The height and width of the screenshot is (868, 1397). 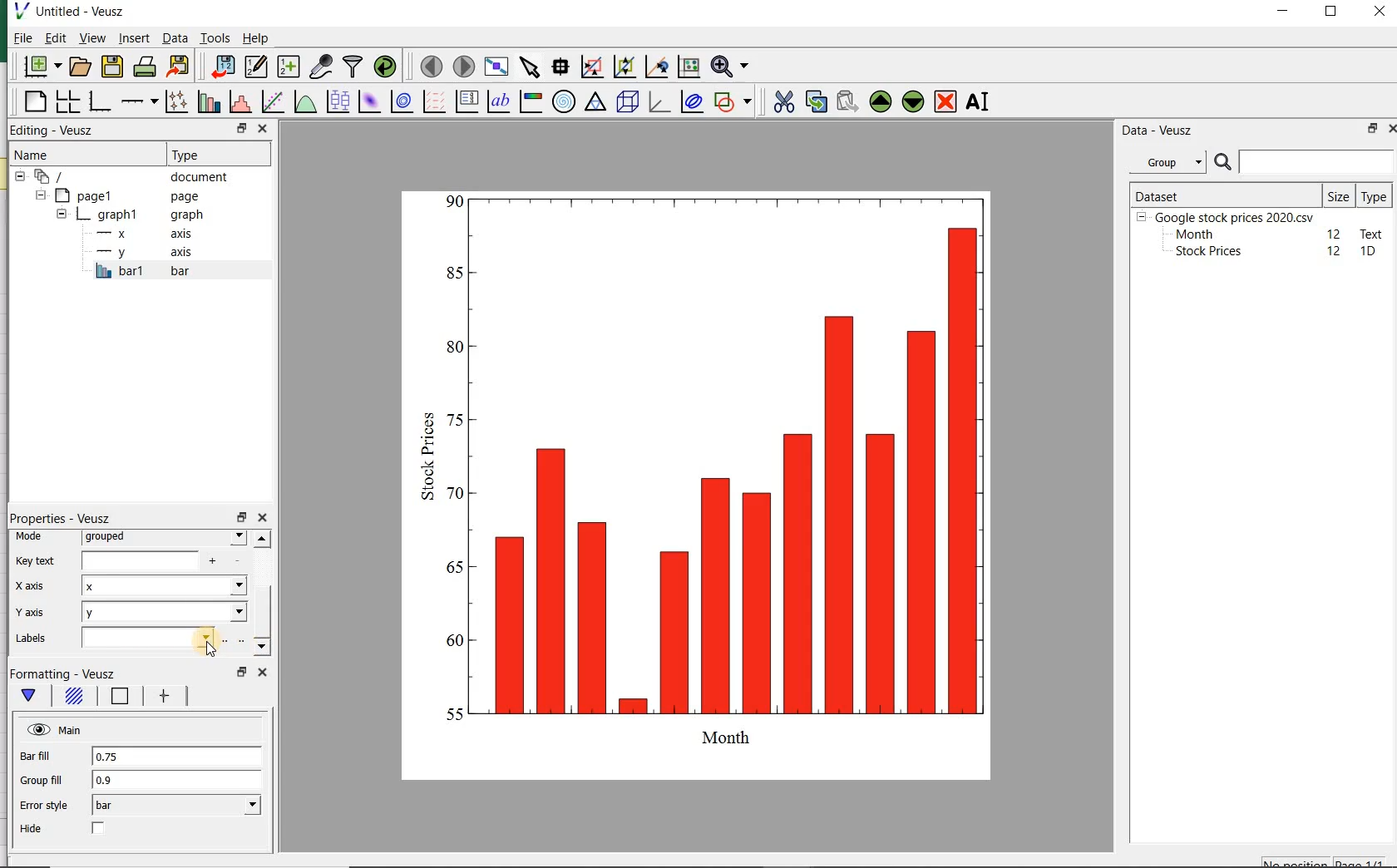 I want to click on x axis, so click(x=137, y=234).